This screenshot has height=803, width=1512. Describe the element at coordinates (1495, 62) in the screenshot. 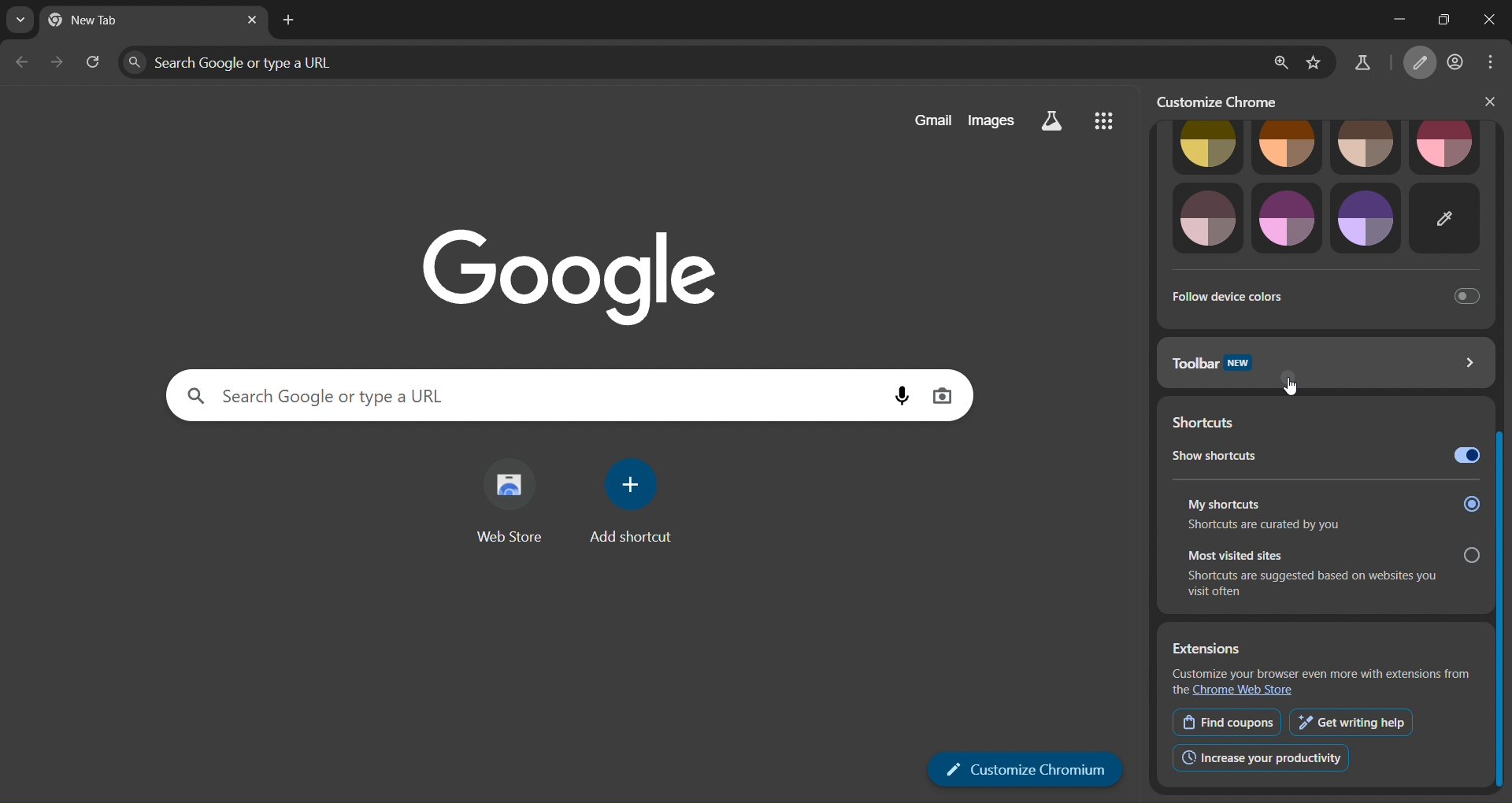

I see `menu` at that location.